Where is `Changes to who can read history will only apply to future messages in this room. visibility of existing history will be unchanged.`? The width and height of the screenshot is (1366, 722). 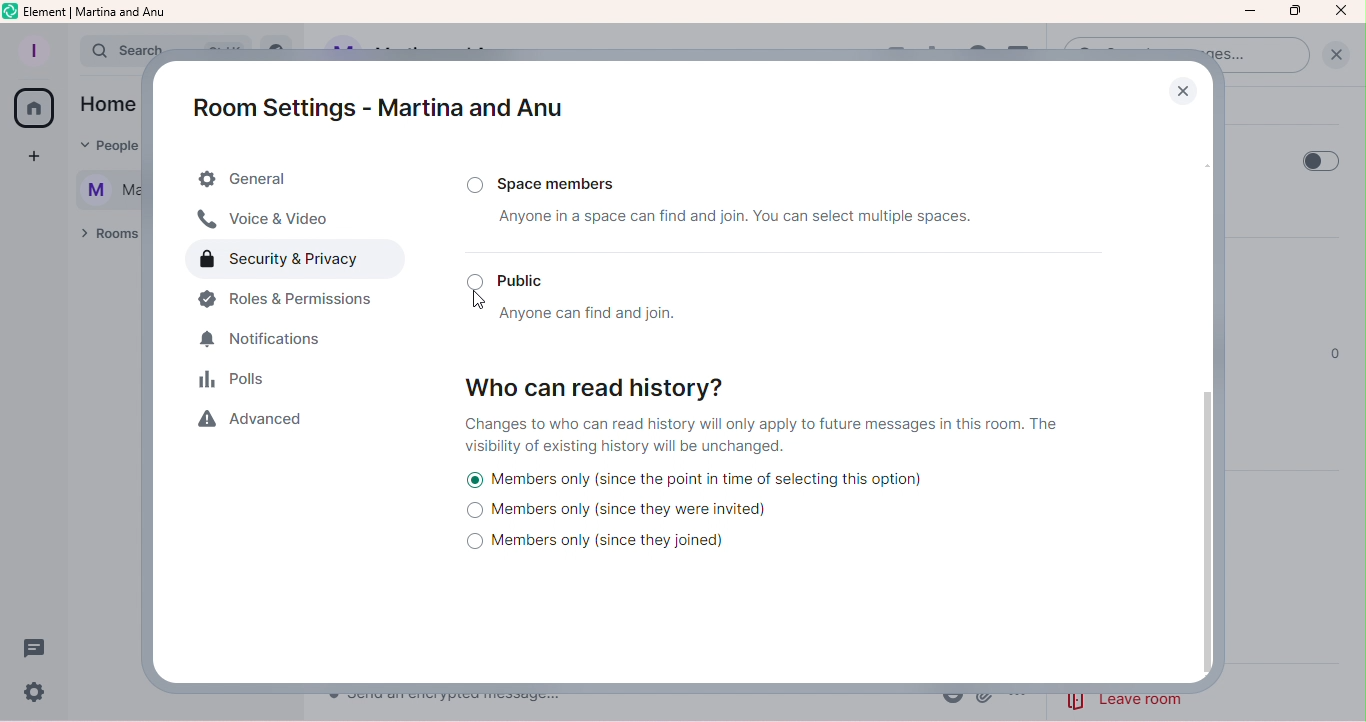 Changes to who can read history will only apply to future messages in this room. visibility of existing history will be unchanged. is located at coordinates (770, 435).